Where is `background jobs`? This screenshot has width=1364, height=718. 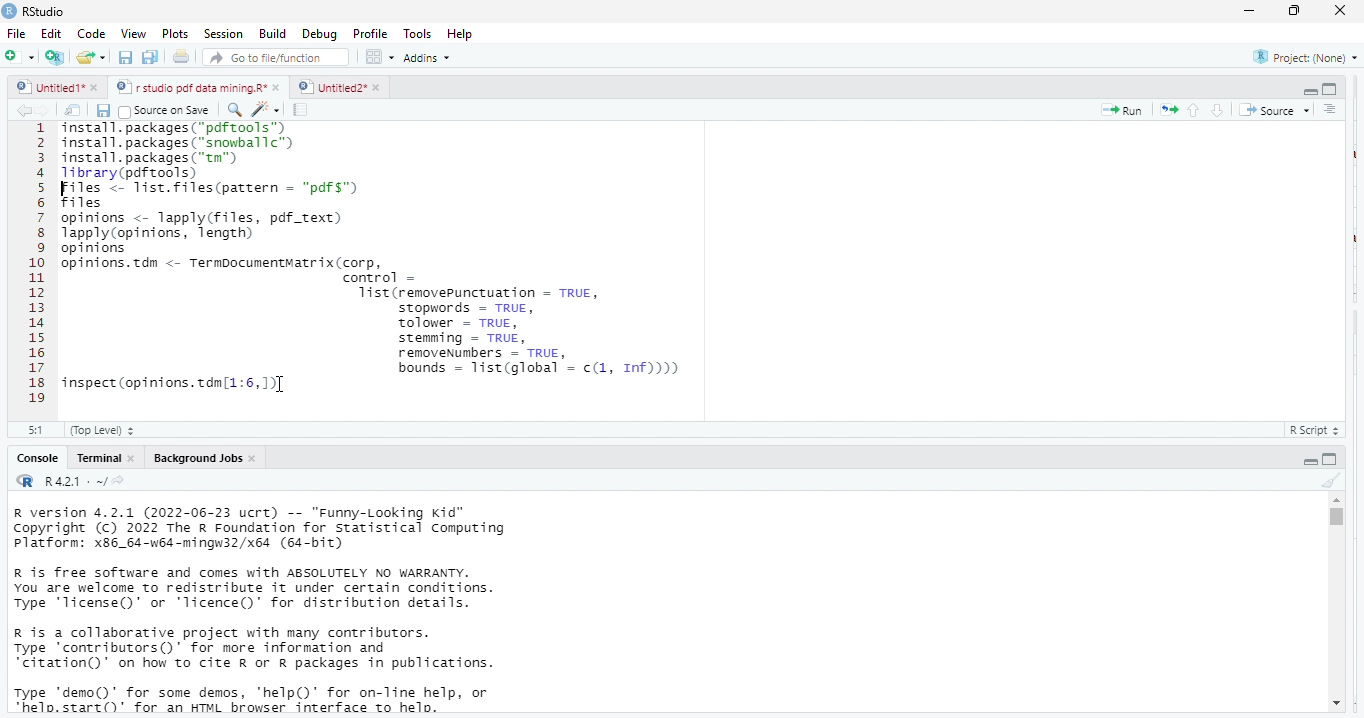
background jobs is located at coordinates (193, 458).